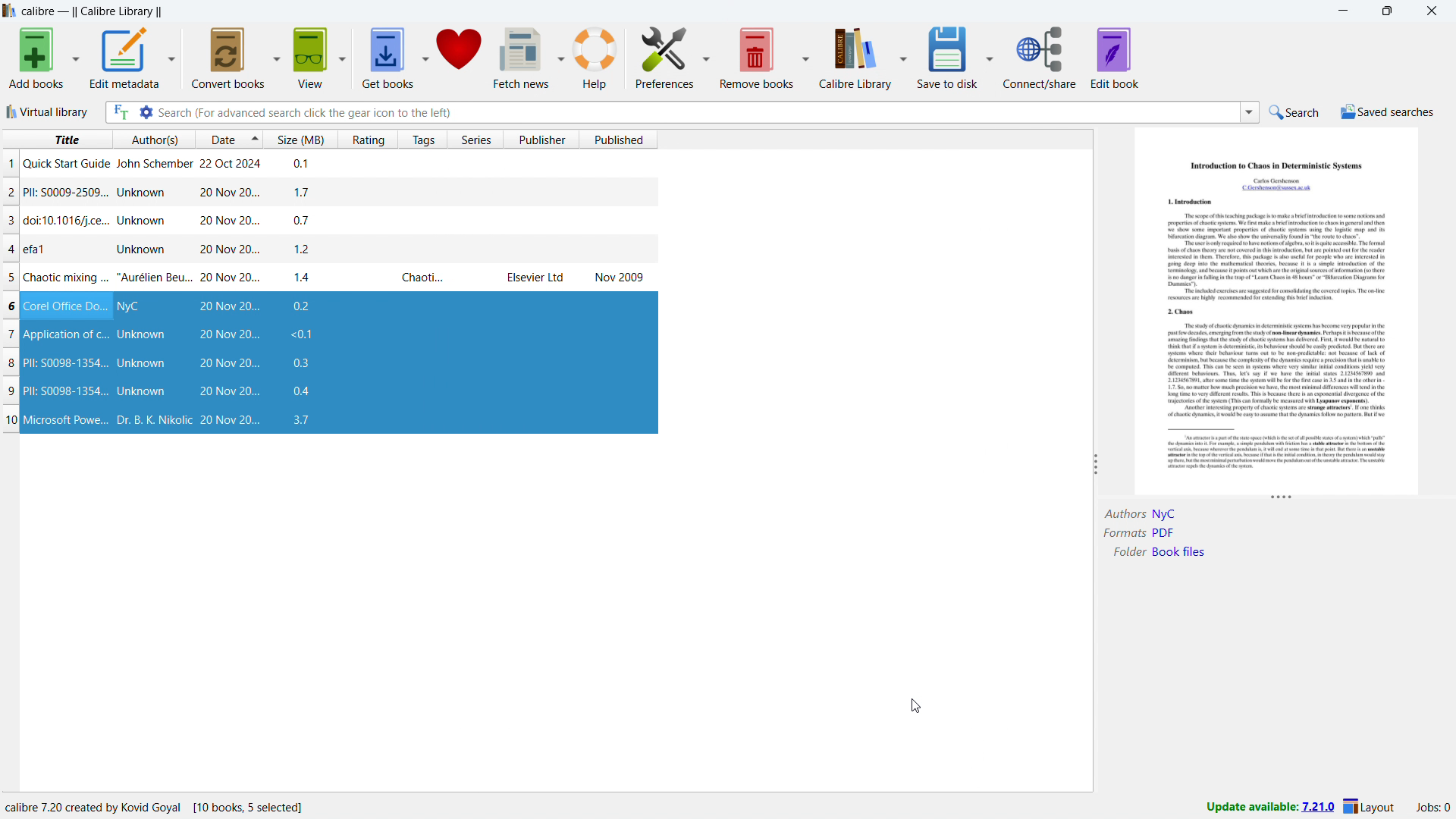 The width and height of the screenshot is (1456, 819). Describe the element at coordinates (1040, 56) in the screenshot. I see `connect/share` at that location.